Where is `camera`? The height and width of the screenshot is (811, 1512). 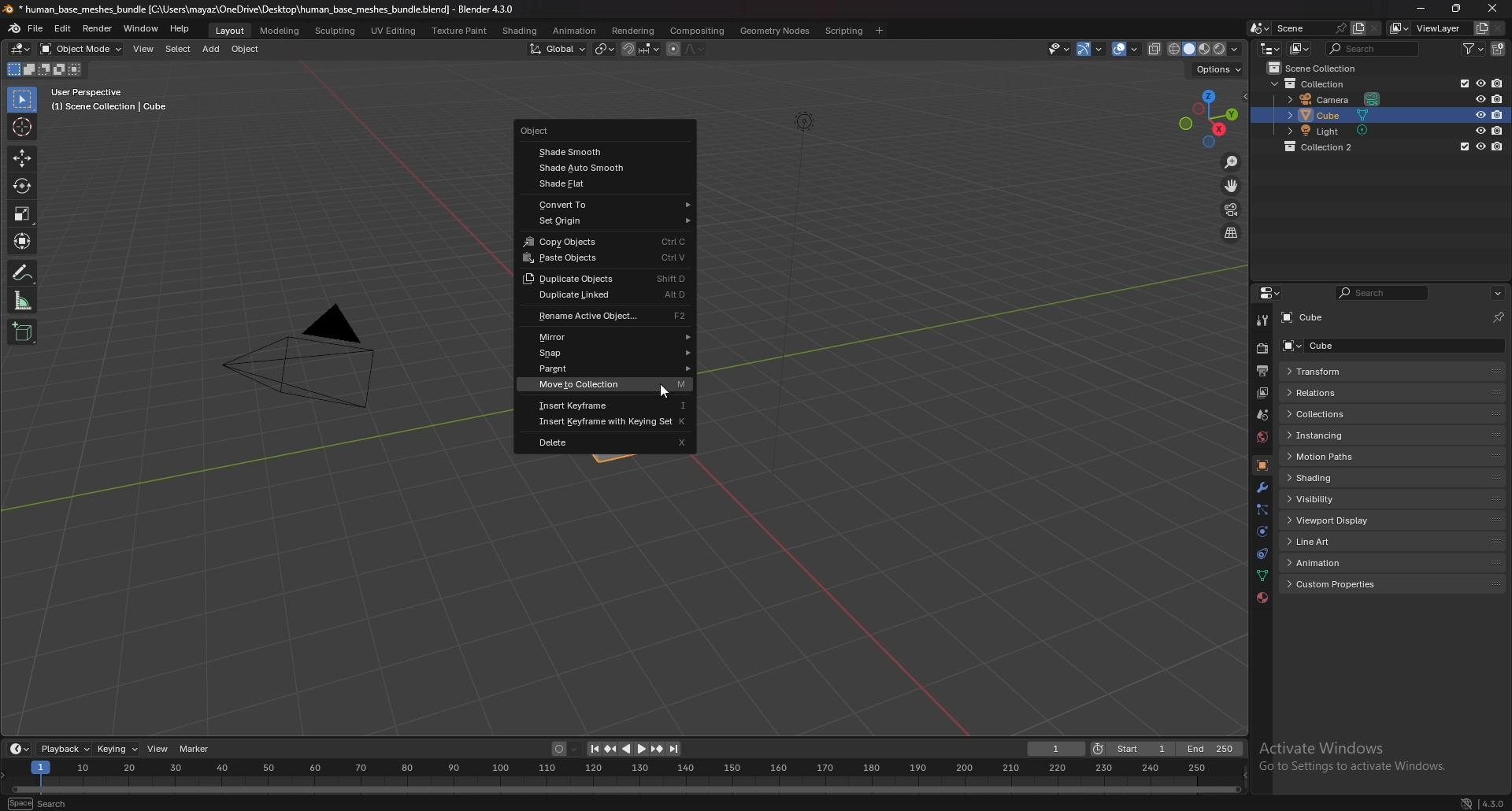
camera is located at coordinates (298, 354).